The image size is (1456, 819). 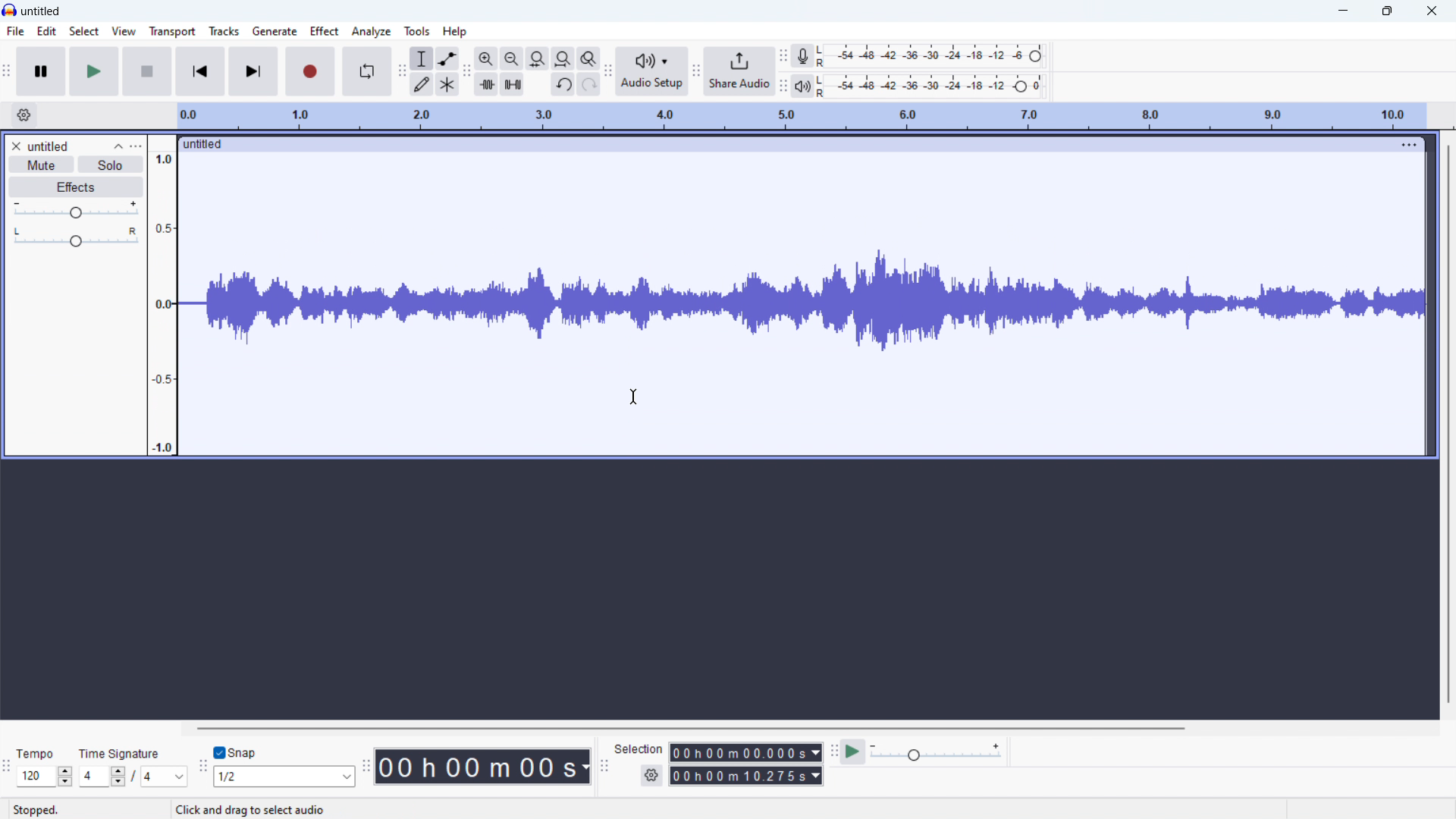 What do you see at coordinates (1385, 11) in the screenshot?
I see `maximize` at bounding box center [1385, 11].